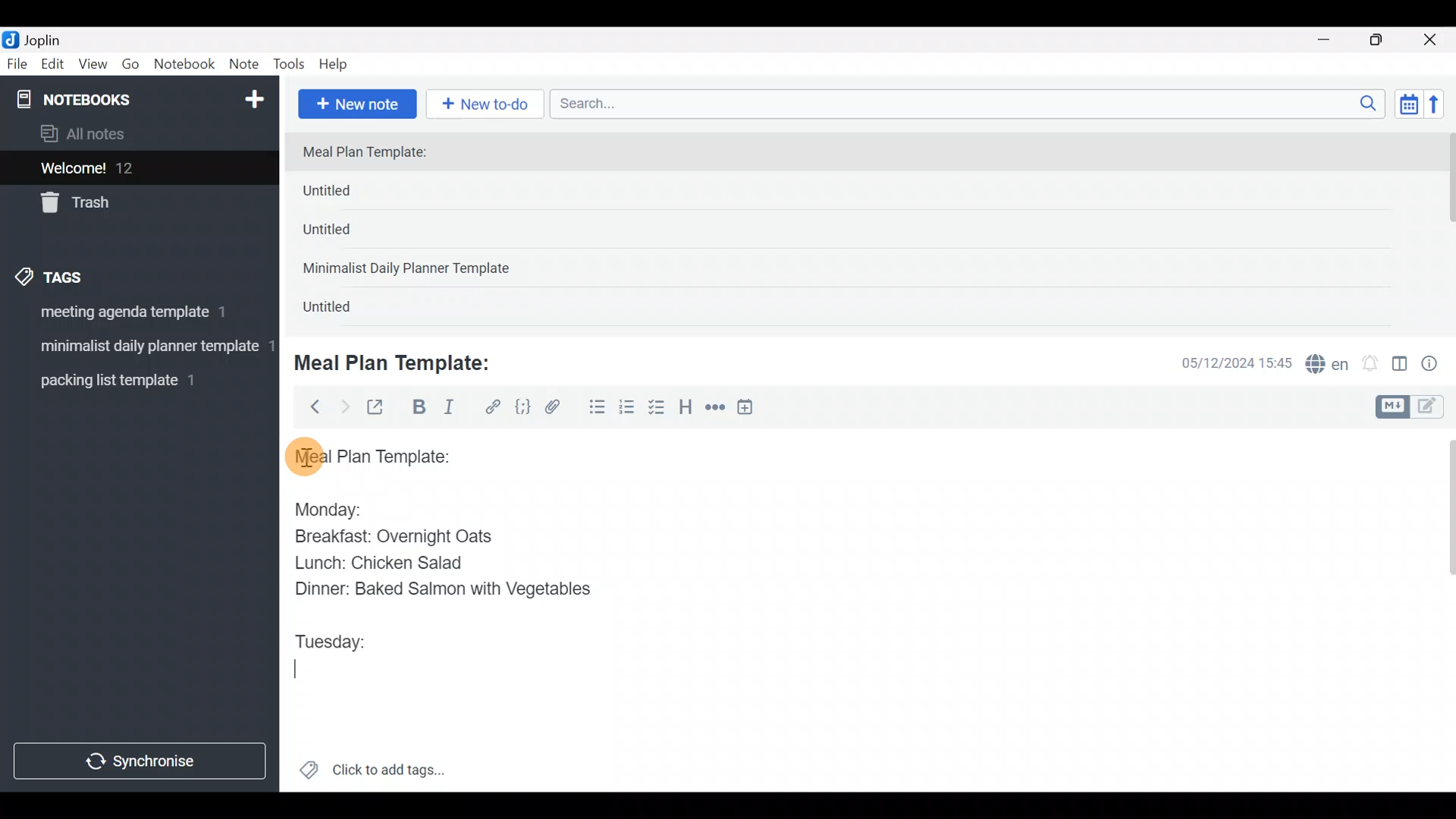  Describe the element at coordinates (1446, 229) in the screenshot. I see `scroll bar` at that location.